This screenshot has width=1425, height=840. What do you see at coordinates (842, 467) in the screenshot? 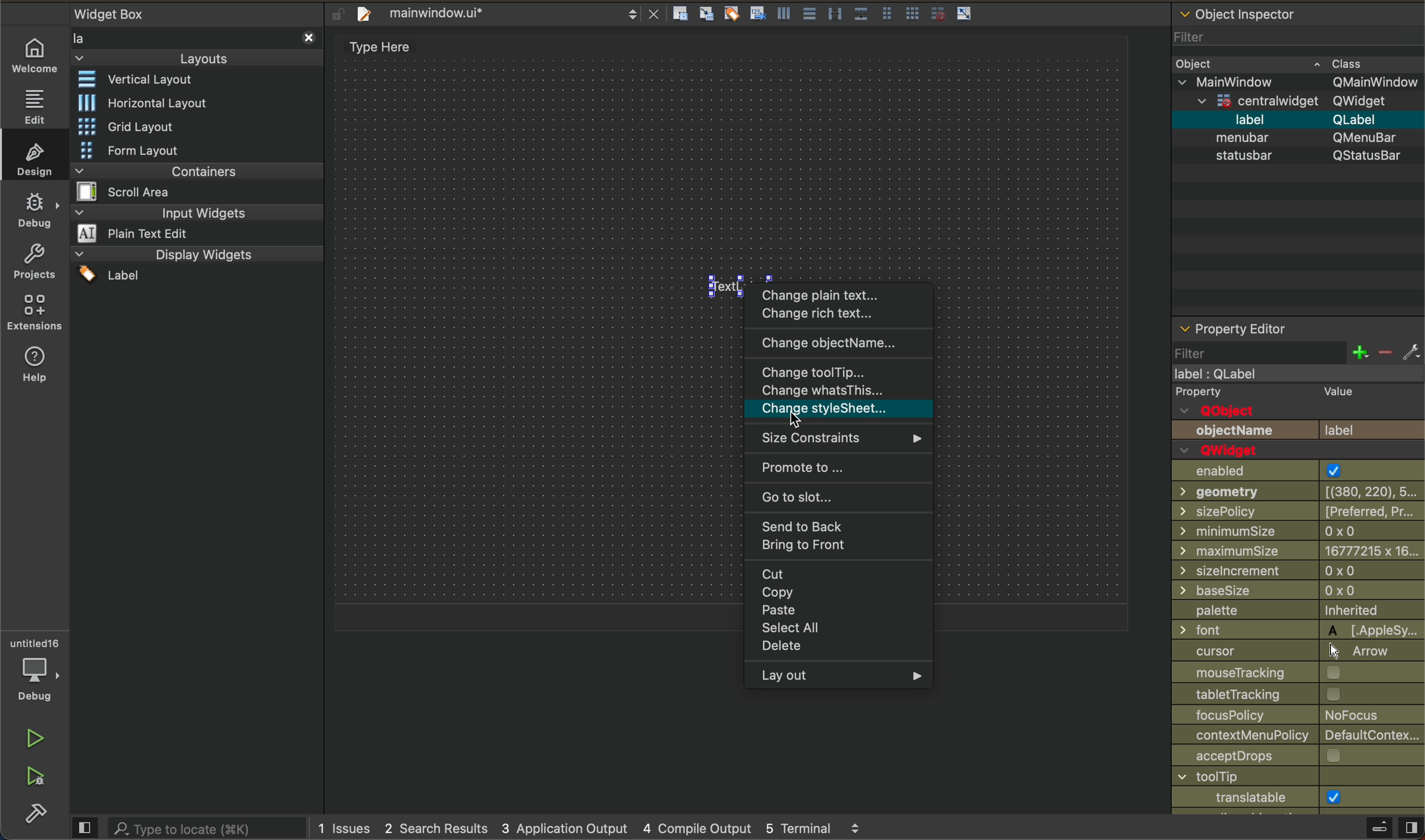
I see `promote` at bounding box center [842, 467].